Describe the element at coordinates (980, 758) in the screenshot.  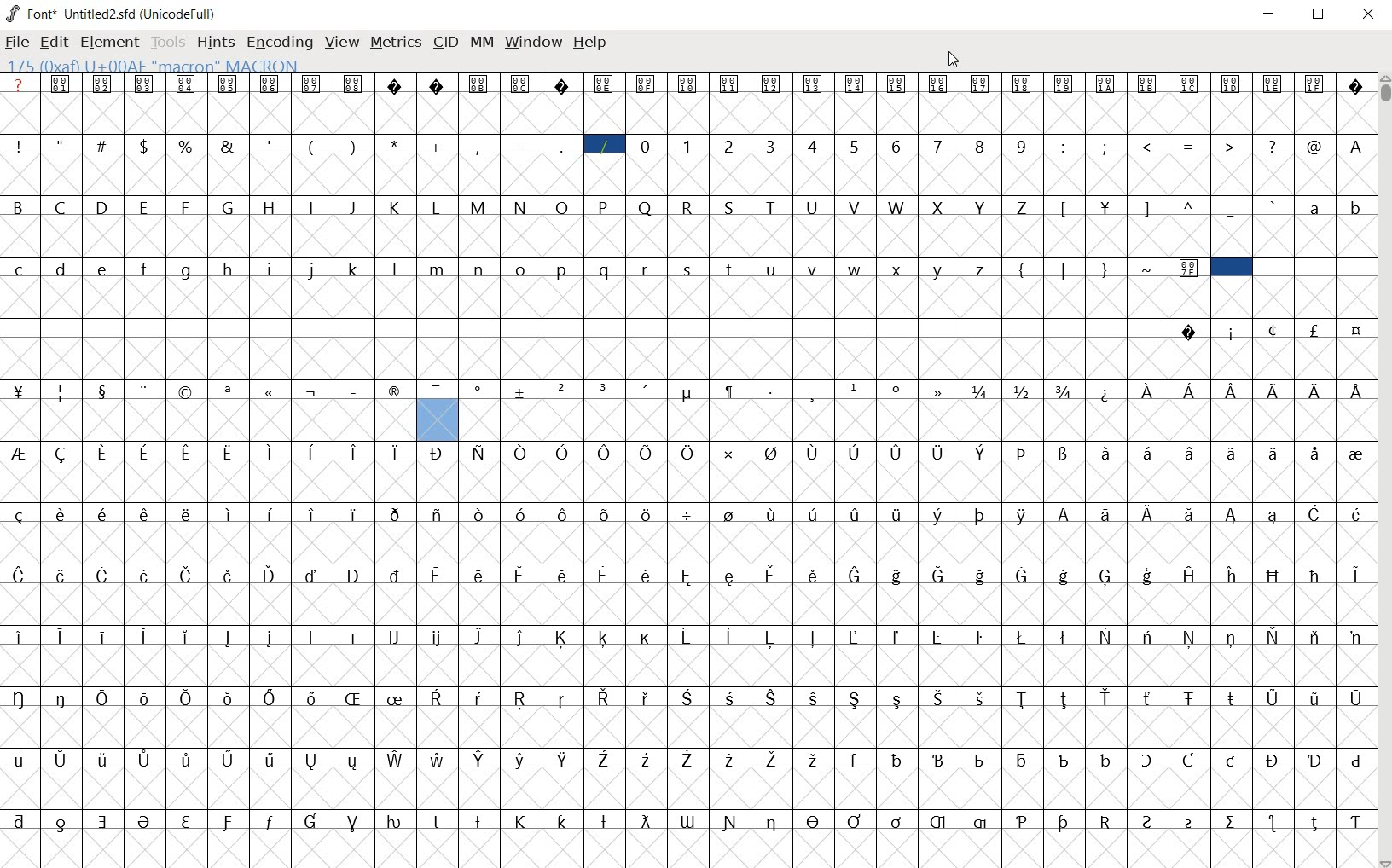
I see `Symbol` at that location.